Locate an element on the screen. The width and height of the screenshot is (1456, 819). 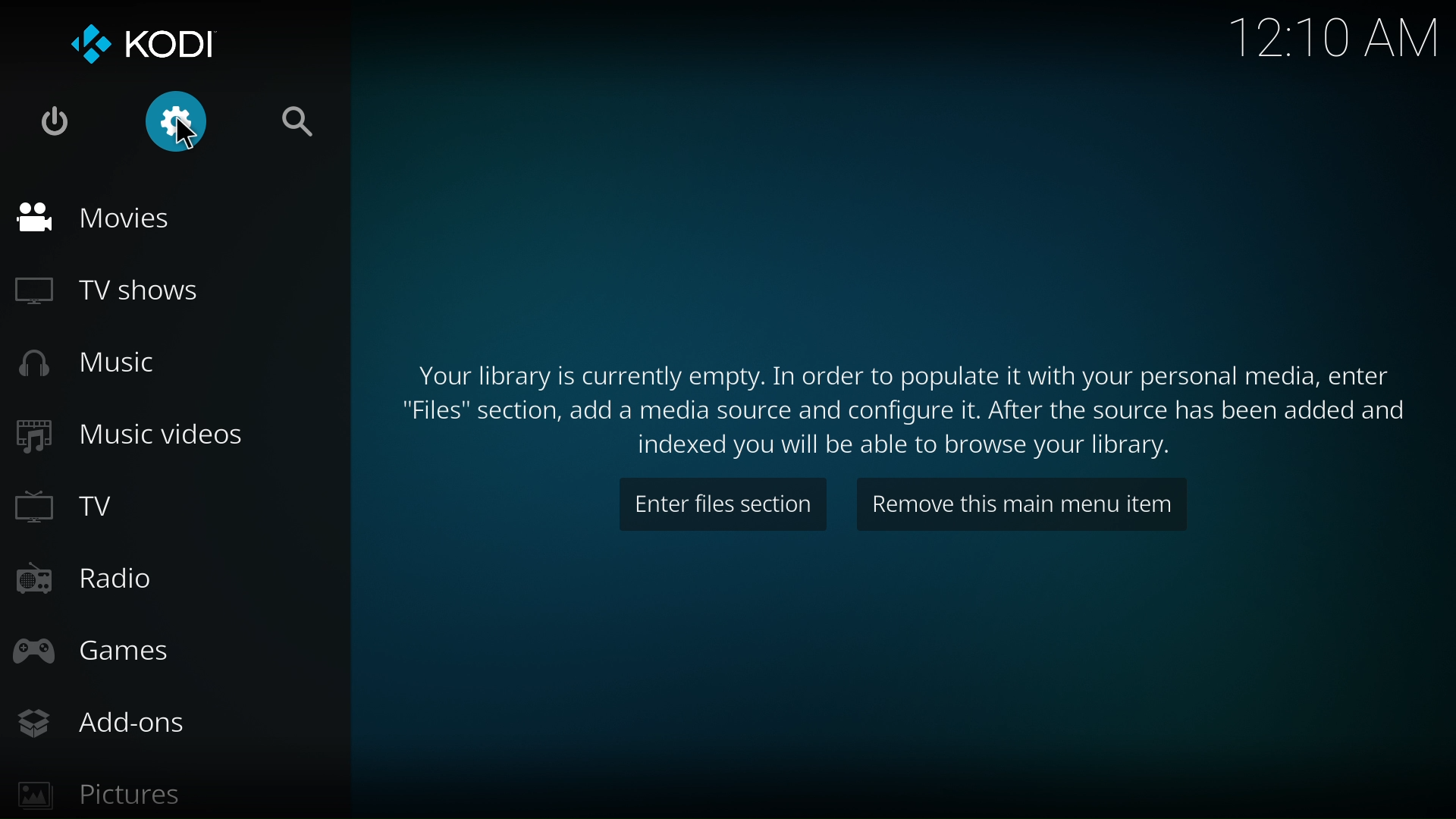
add ons is located at coordinates (105, 723).